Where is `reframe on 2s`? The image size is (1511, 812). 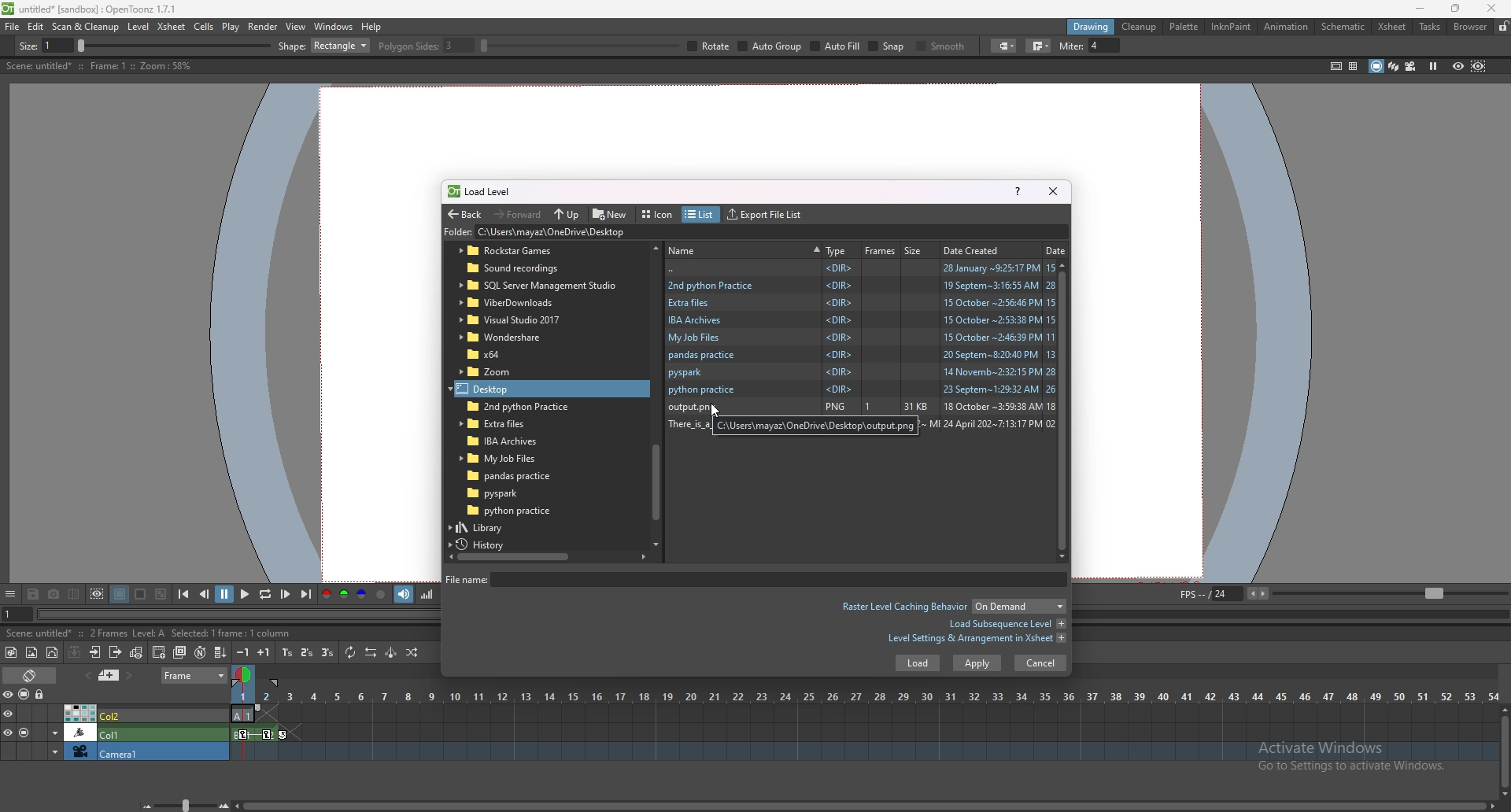
reframe on 2s is located at coordinates (308, 654).